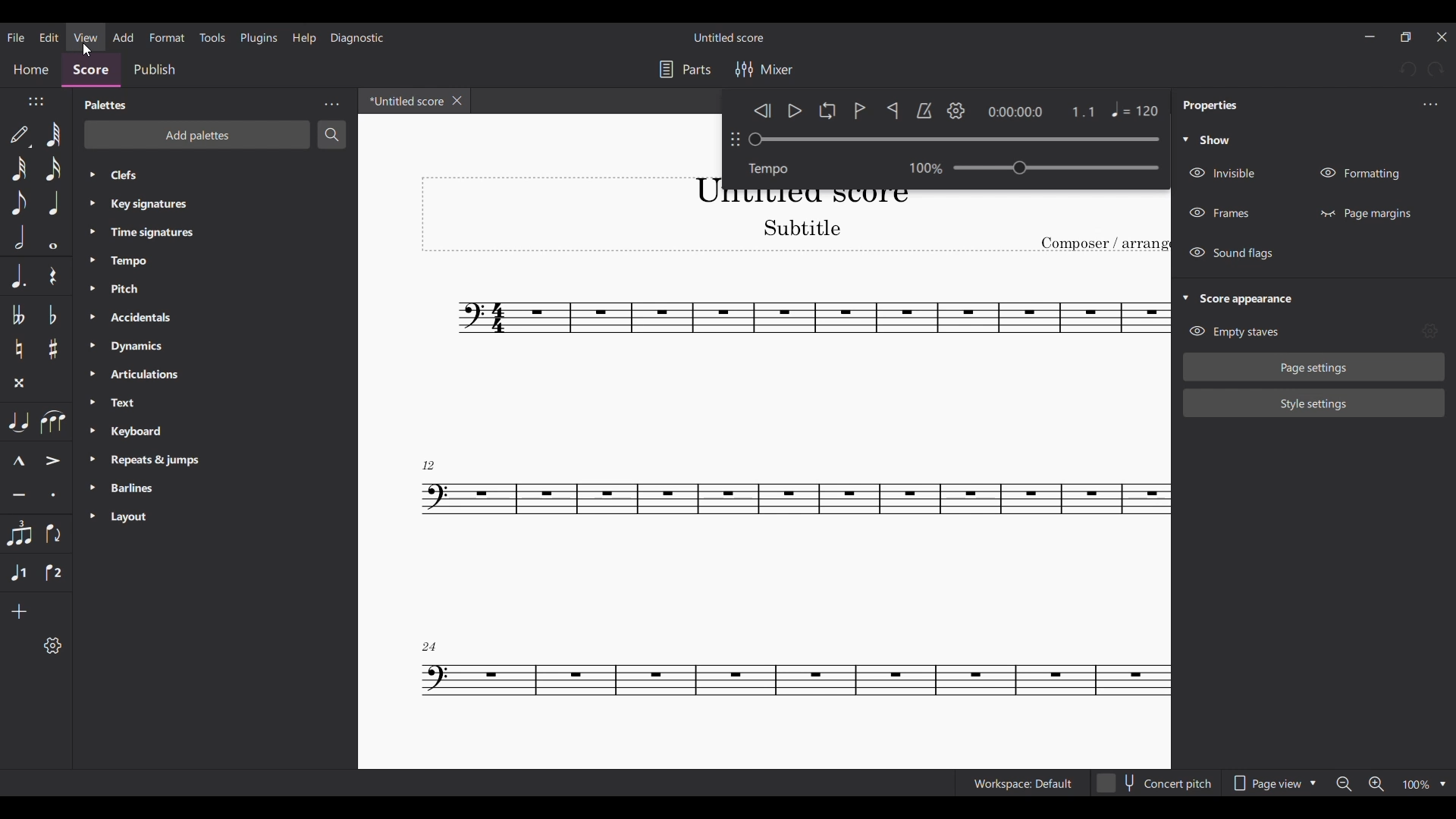 This screenshot has height=819, width=1456. What do you see at coordinates (1220, 213) in the screenshot?
I see `Frames` at bounding box center [1220, 213].